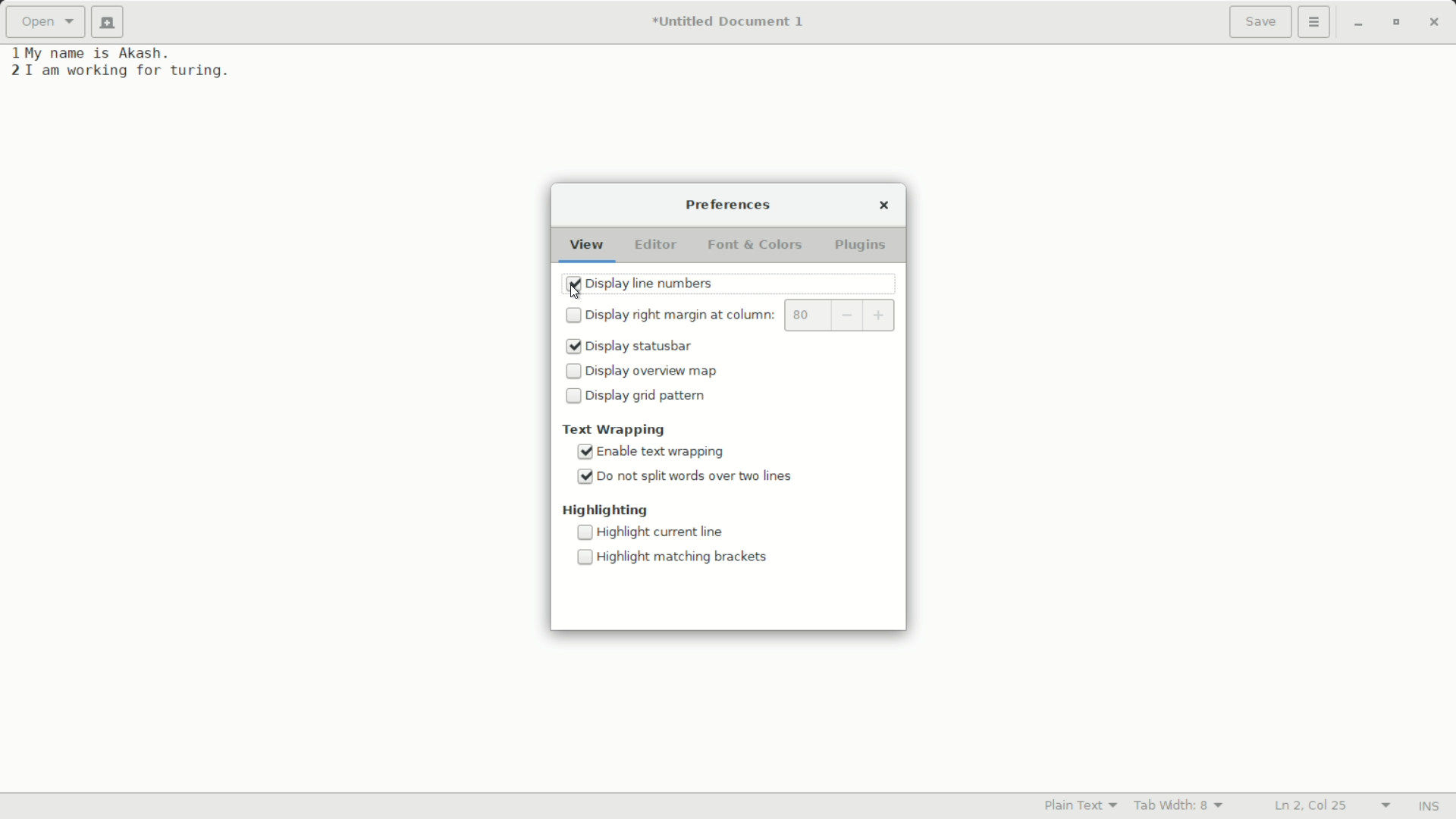  I want to click on plugins, so click(861, 246).